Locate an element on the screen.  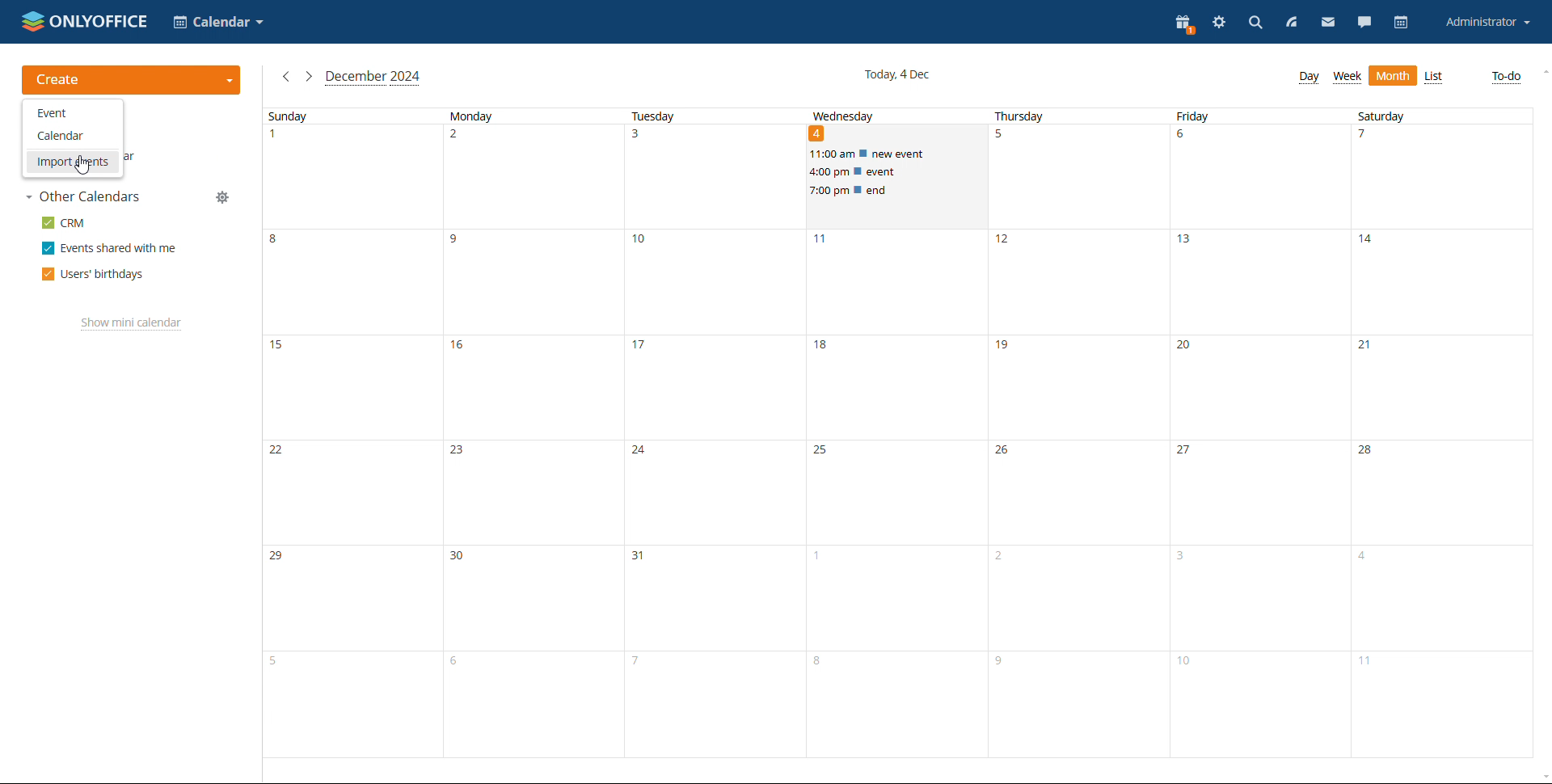
select application is located at coordinates (217, 22).